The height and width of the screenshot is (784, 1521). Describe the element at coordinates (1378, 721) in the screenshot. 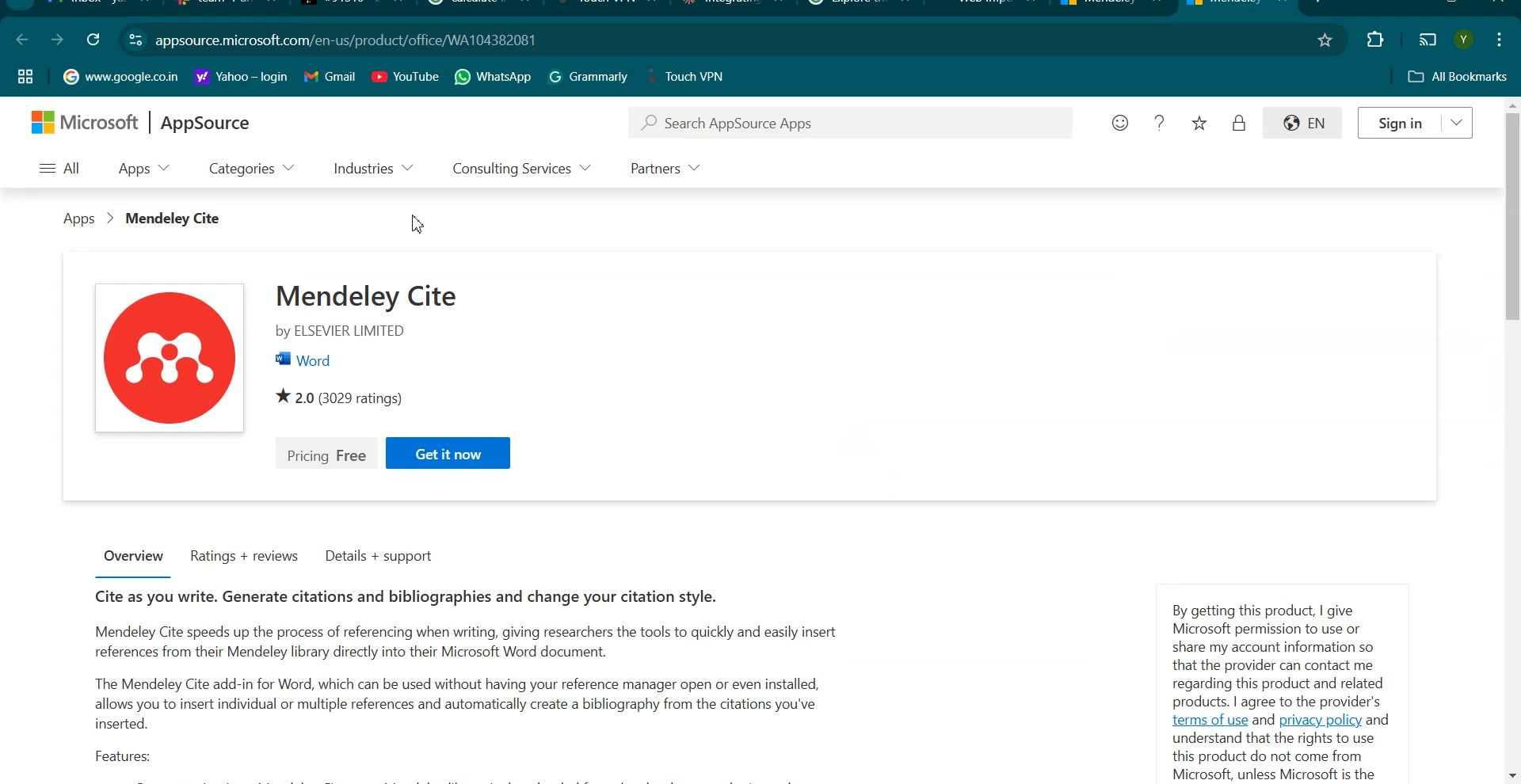

I see `and` at that location.